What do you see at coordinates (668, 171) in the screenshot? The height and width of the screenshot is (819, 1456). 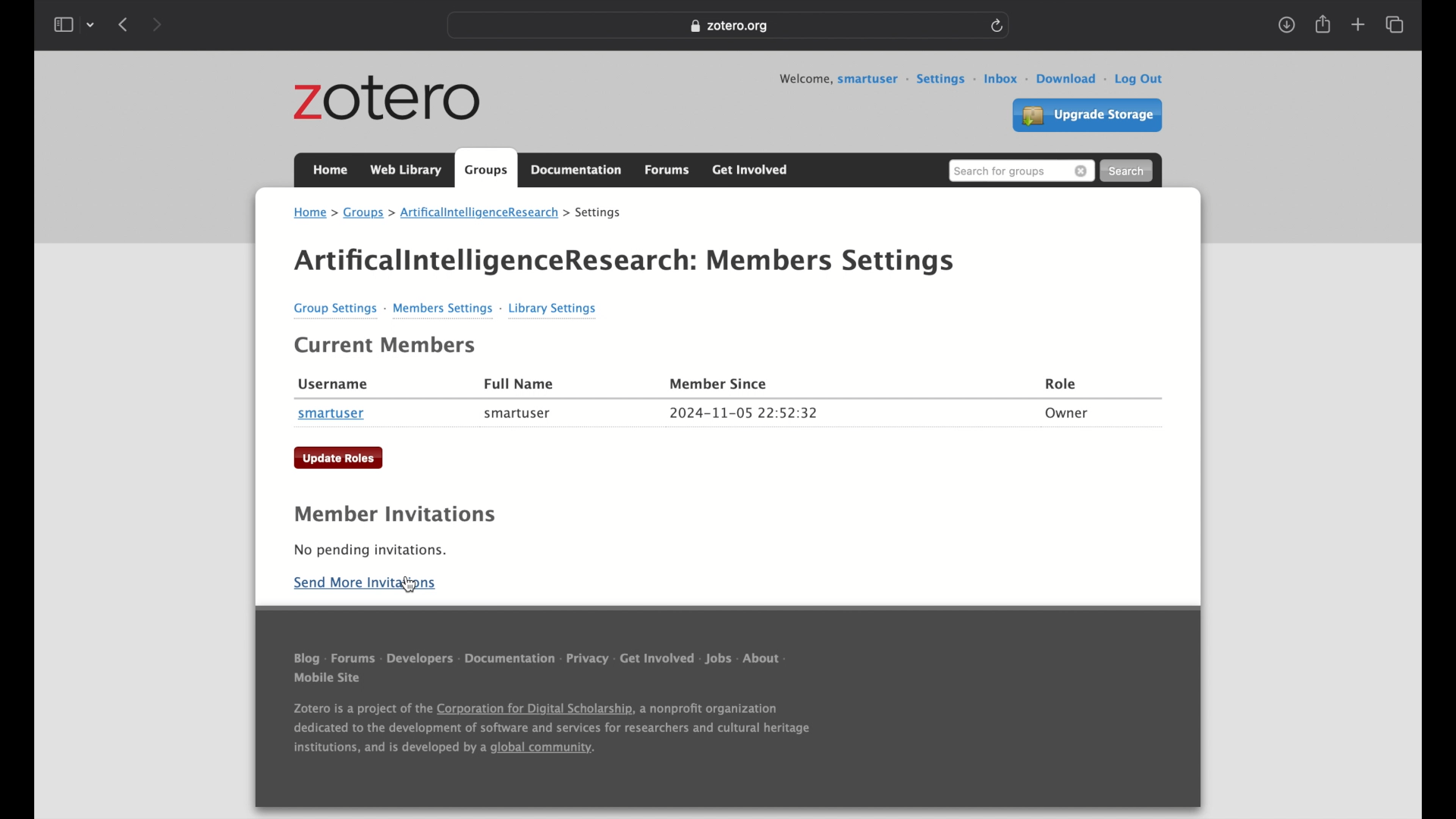 I see `forums` at bounding box center [668, 171].